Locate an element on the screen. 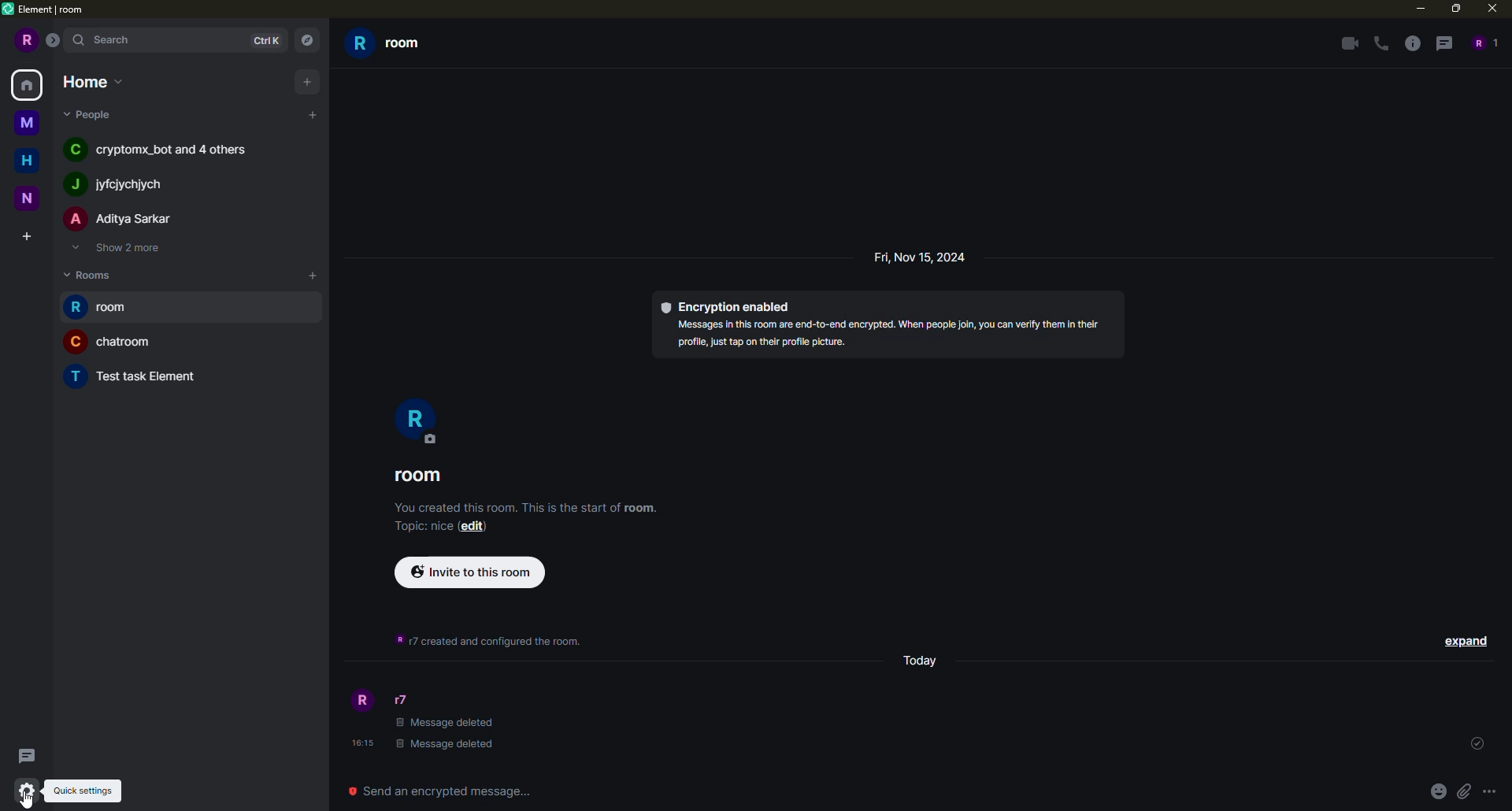 The height and width of the screenshot is (811, 1512). people is located at coordinates (120, 184).